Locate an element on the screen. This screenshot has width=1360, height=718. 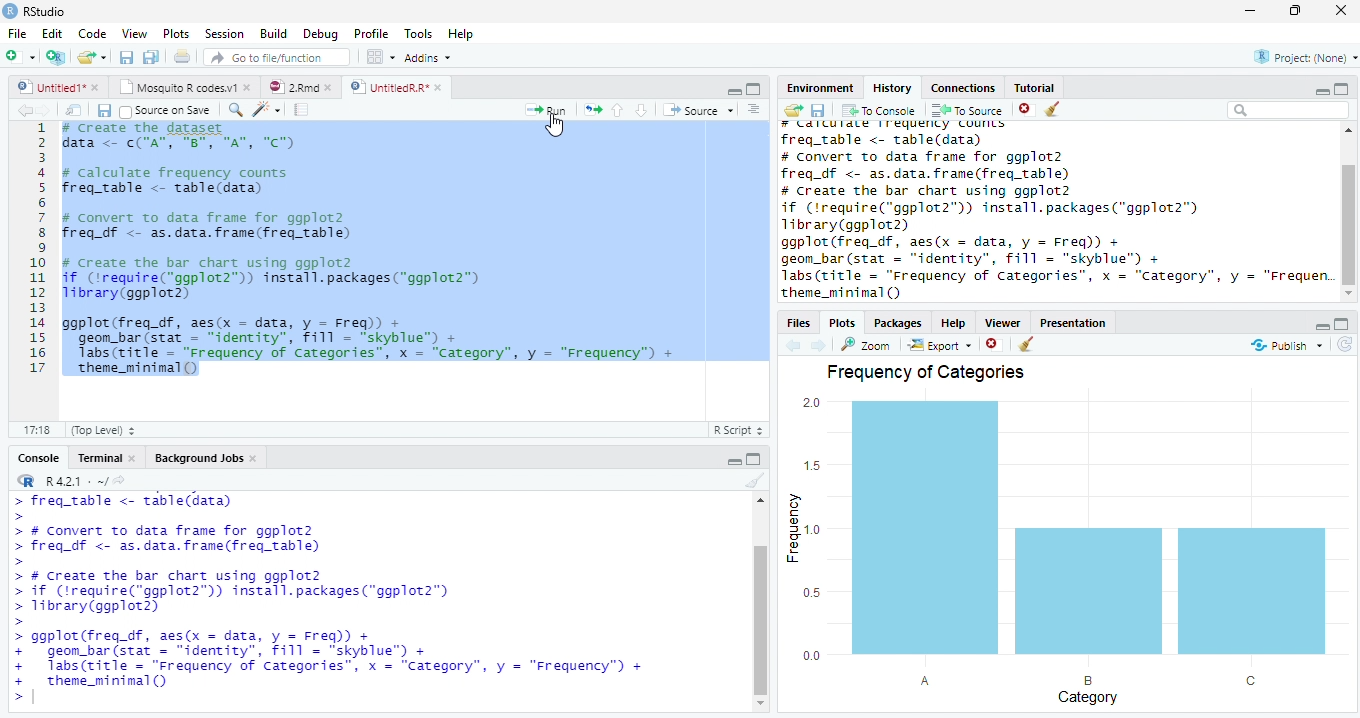
Plots is located at coordinates (842, 322).